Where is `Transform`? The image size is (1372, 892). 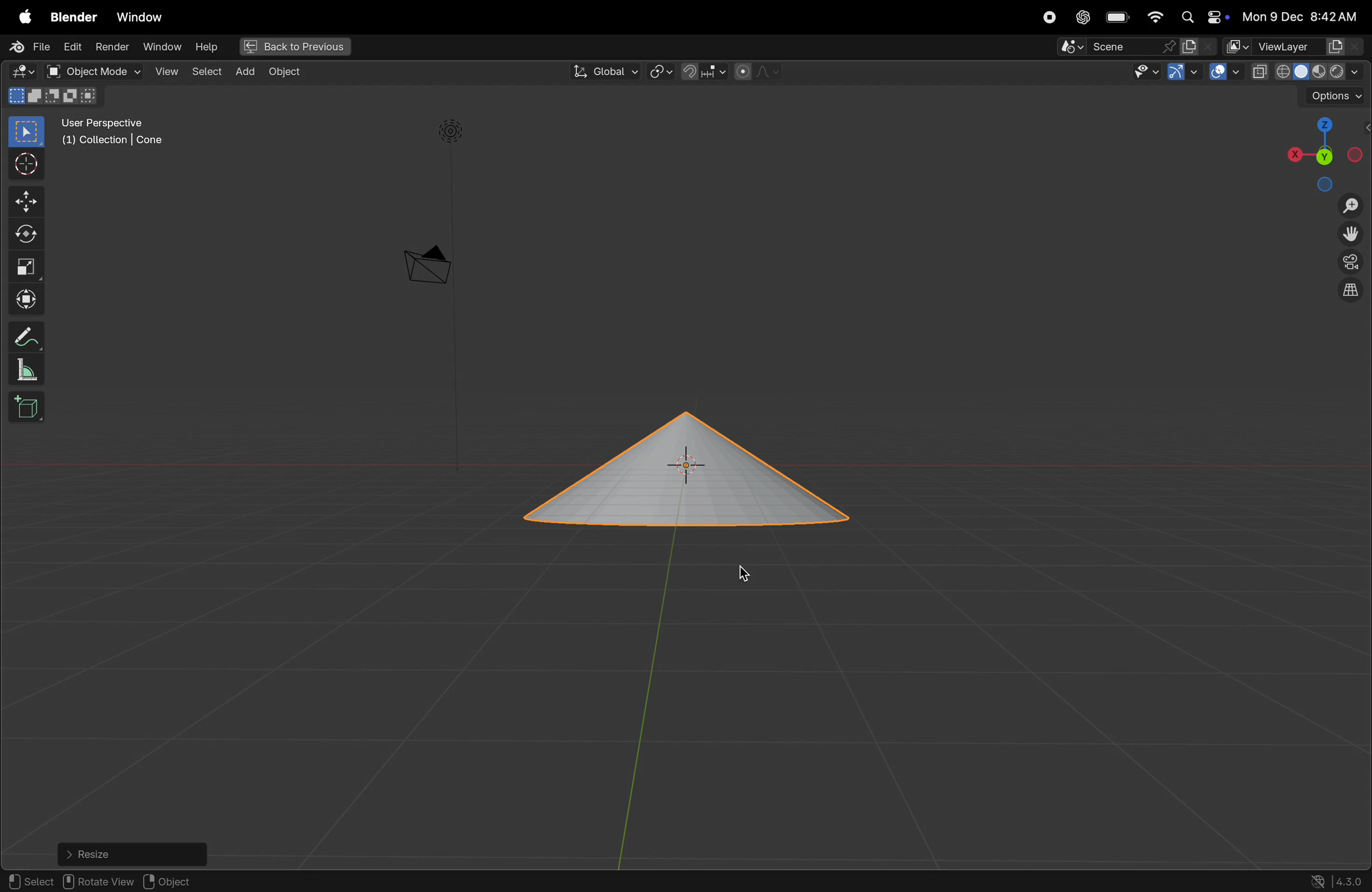
Transform is located at coordinates (25, 298).